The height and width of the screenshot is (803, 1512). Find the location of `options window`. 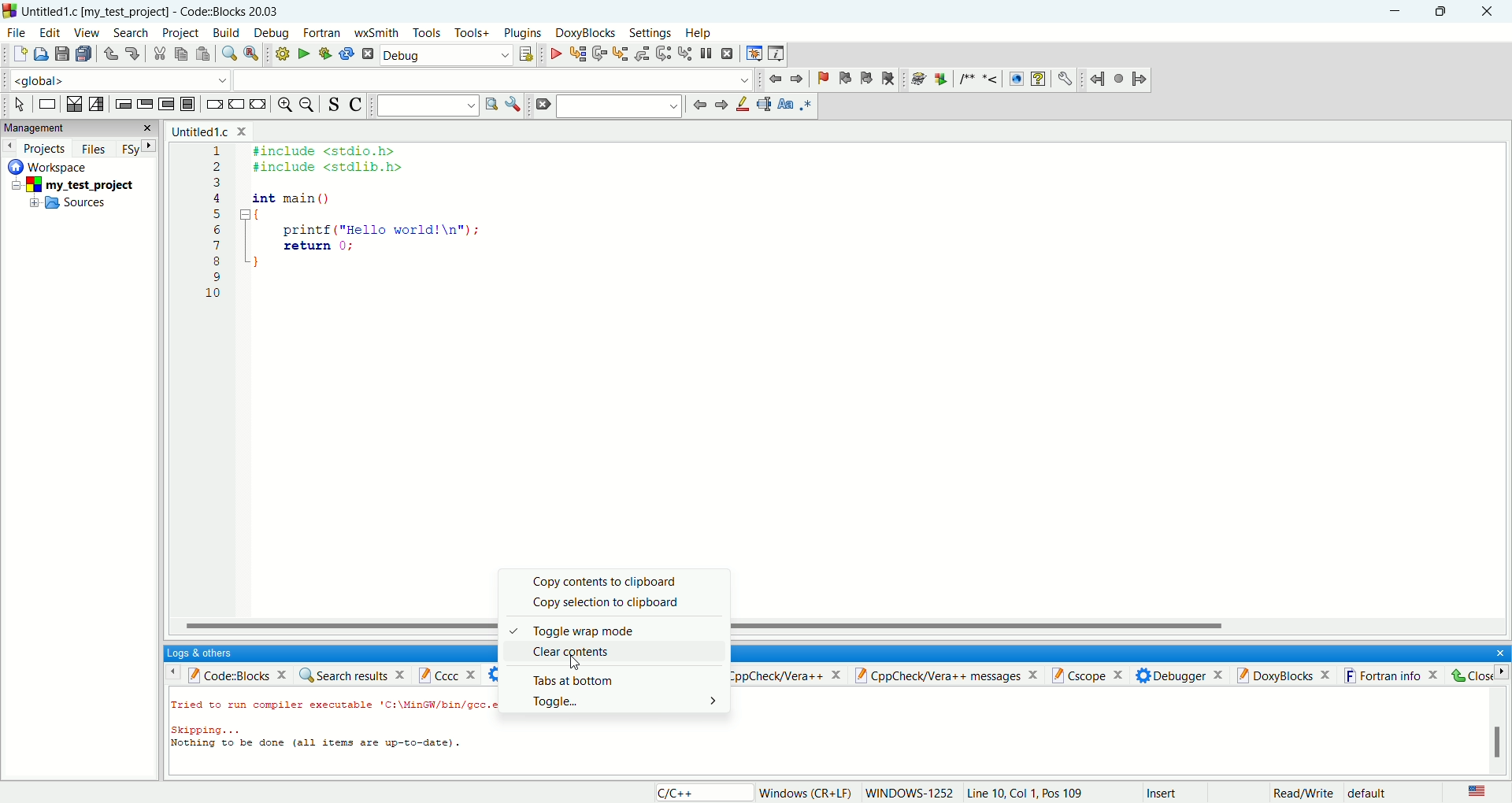

options window is located at coordinates (513, 105).